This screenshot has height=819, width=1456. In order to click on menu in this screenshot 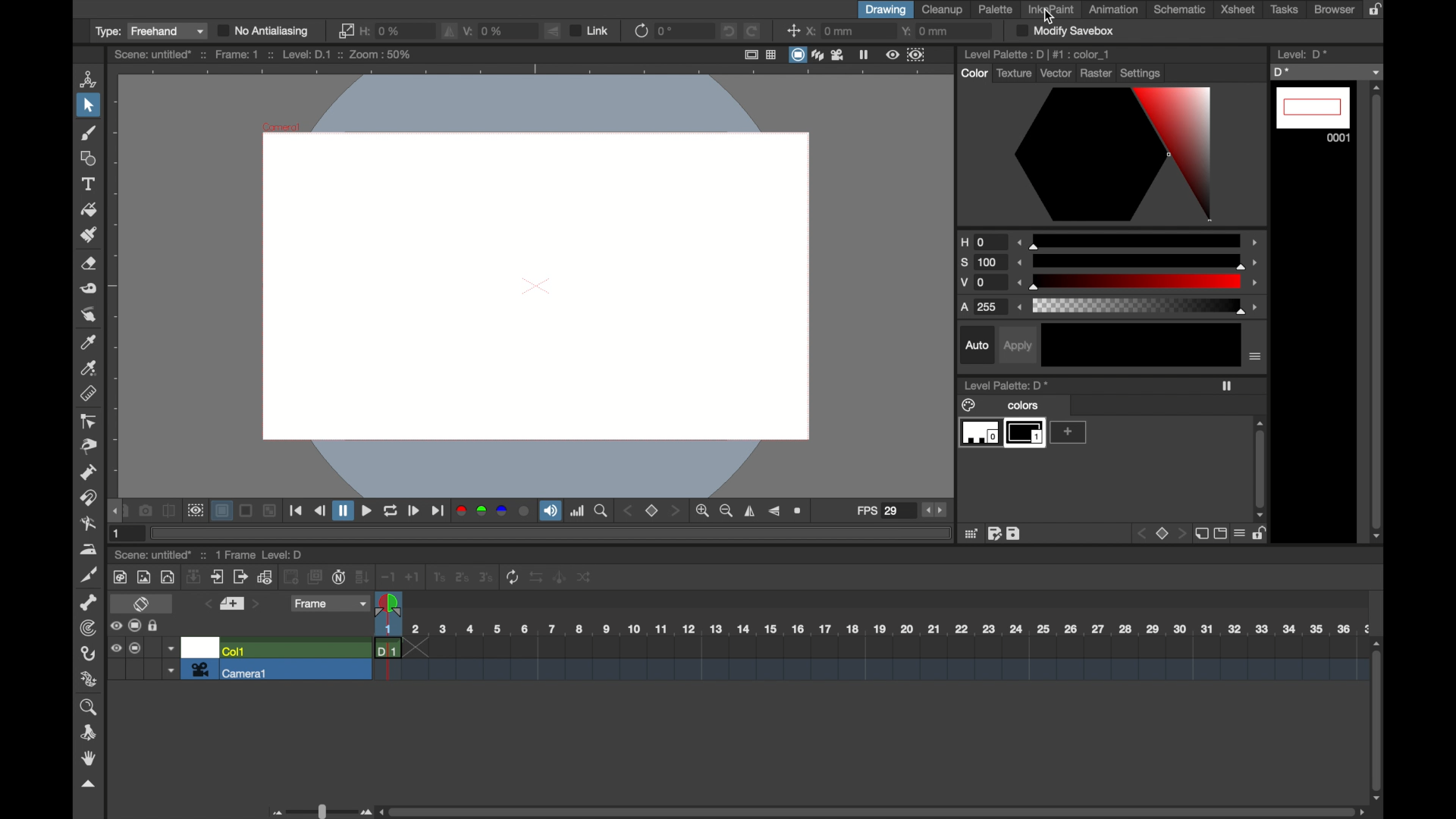, I will do `click(1240, 535)`.